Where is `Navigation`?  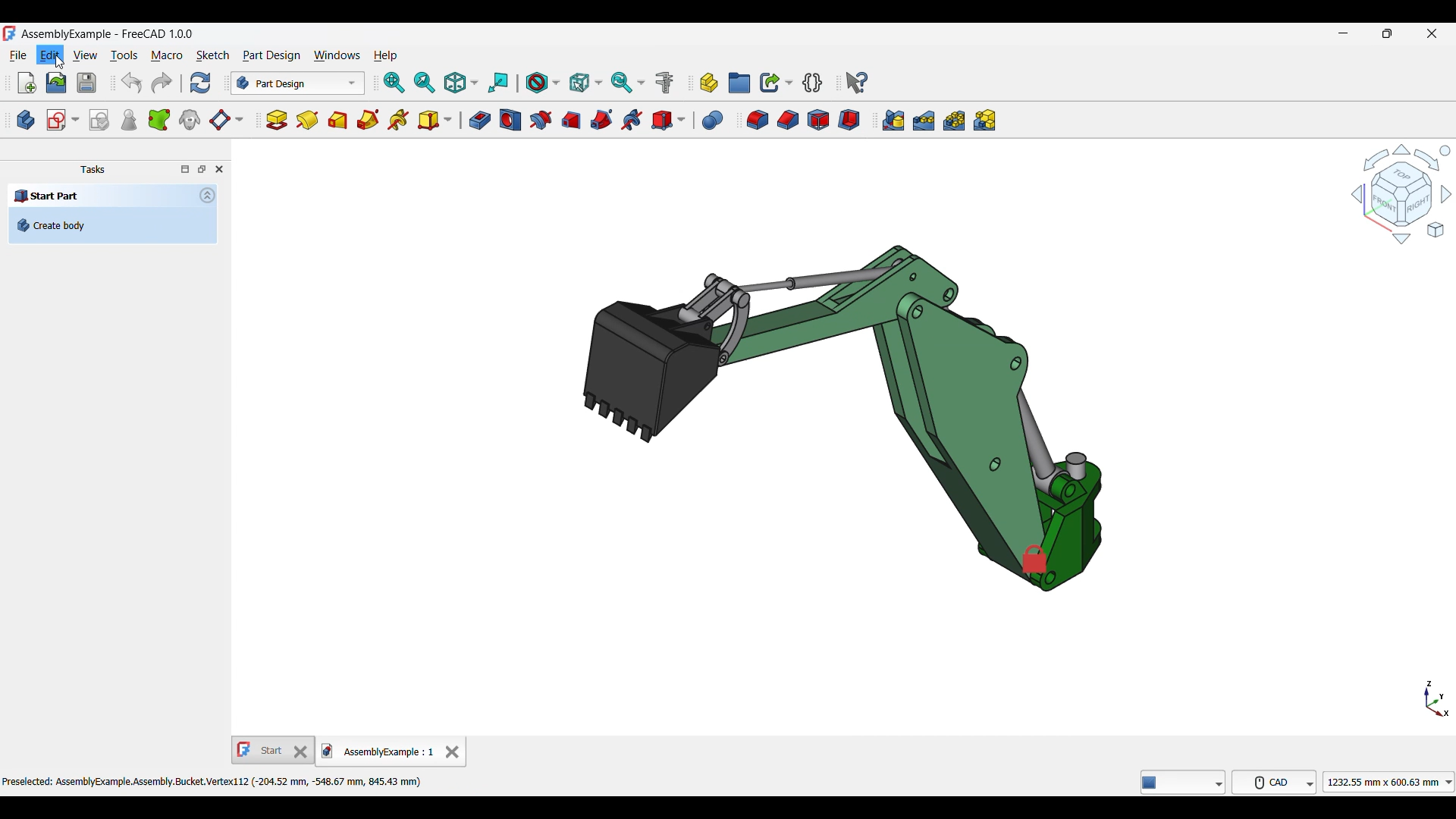
Navigation is located at coordinates (1401, 193).